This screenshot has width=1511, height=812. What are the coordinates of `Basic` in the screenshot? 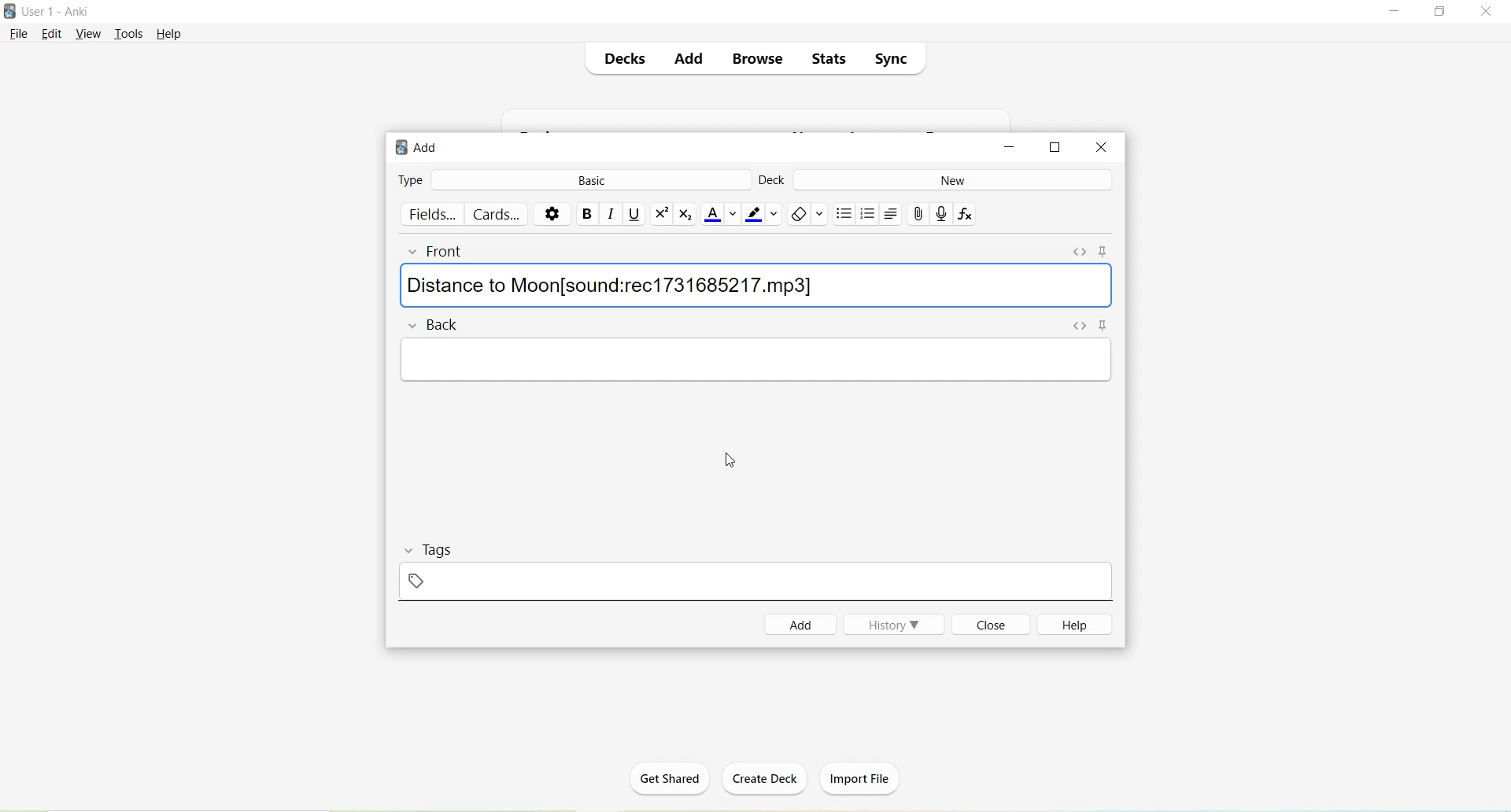 It's located at (588, 181).